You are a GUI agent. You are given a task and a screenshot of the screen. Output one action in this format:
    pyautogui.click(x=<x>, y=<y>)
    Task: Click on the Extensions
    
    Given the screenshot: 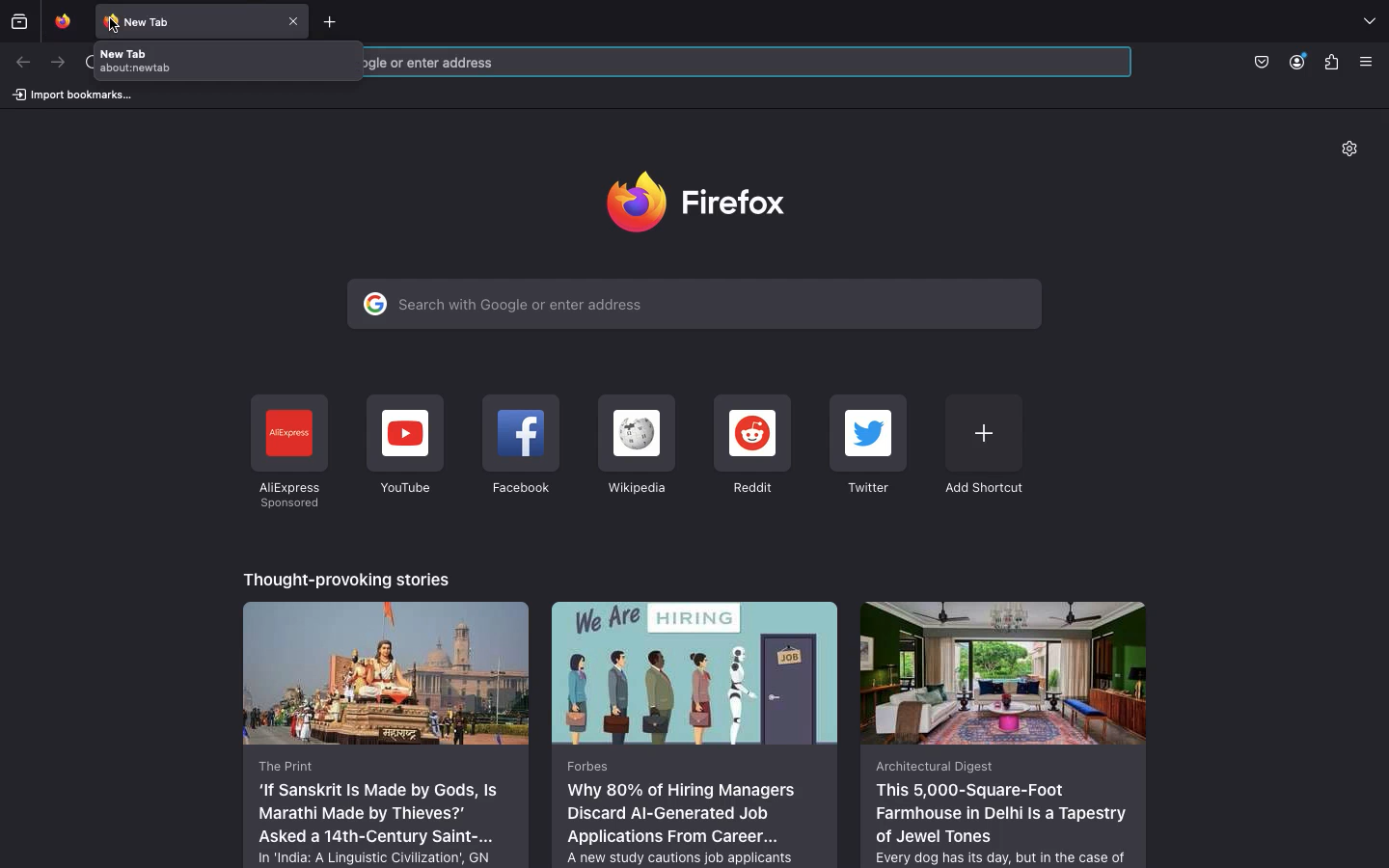 What is the action you would take?
    pyautogui.click(x=1331, y=64)
    